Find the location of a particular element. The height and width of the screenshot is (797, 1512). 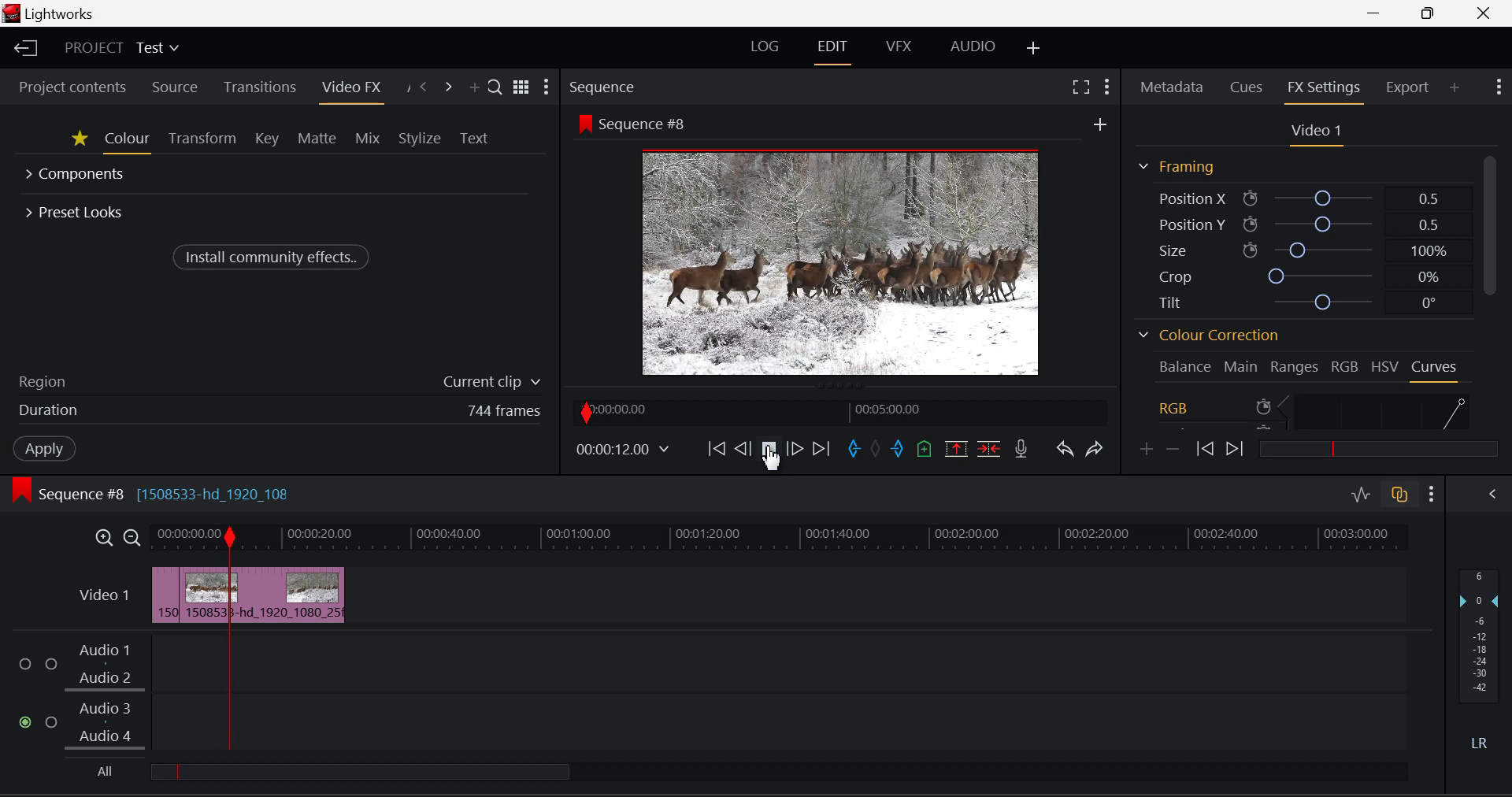

Install community effects is located at coordinates (273, 256).